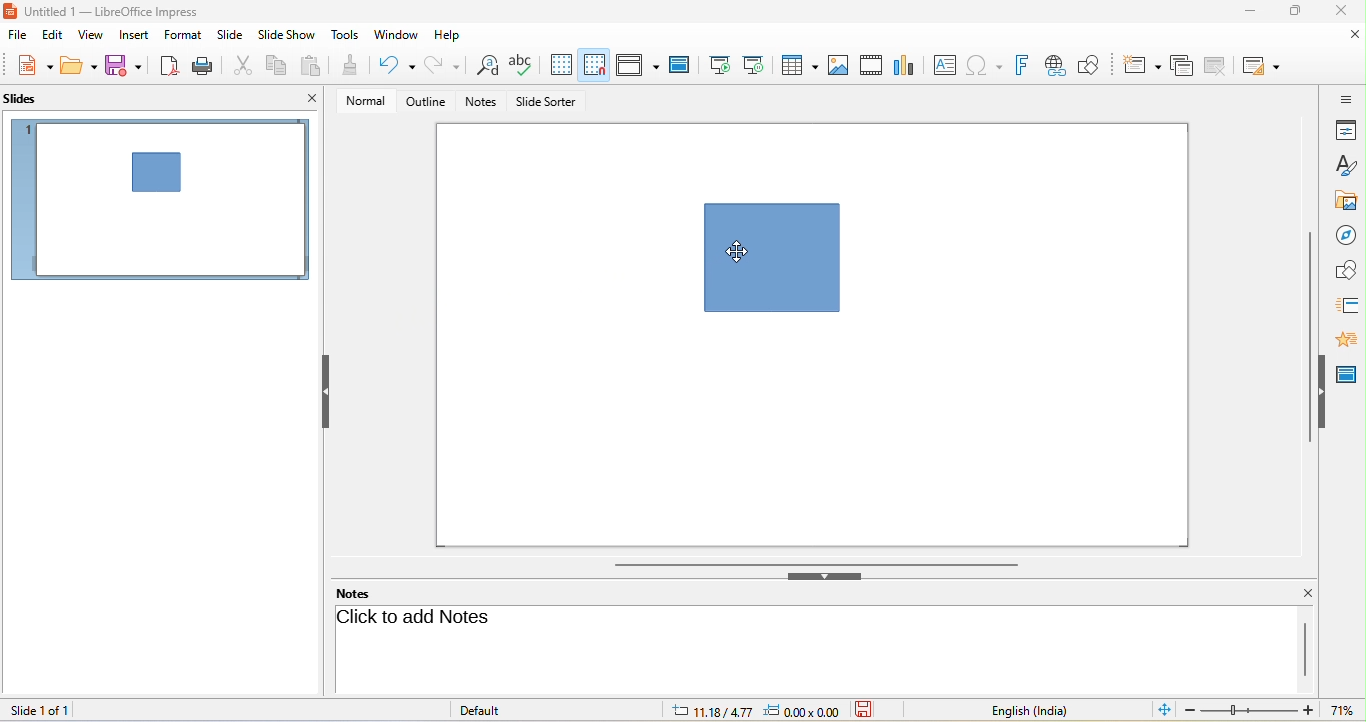 This screenshot has height=722, width=1366. I want to click on special character, so click(989, 65).